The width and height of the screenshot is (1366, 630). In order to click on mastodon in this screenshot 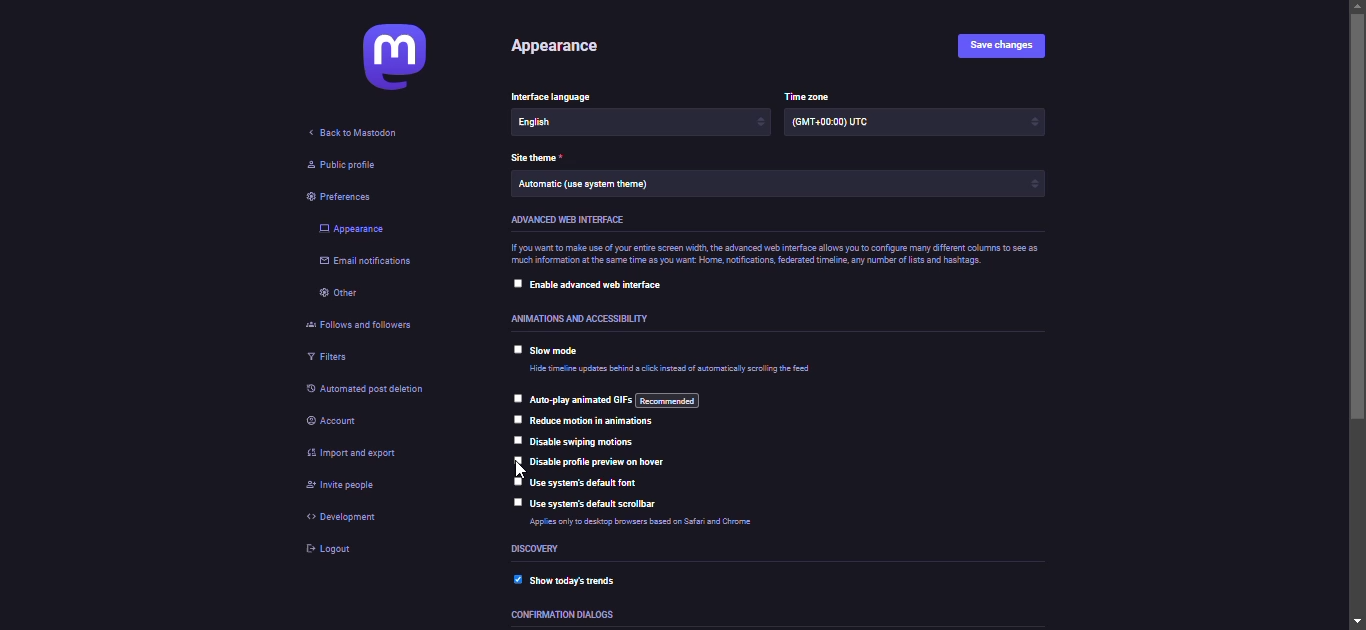, I will do `click(397, 60)`.